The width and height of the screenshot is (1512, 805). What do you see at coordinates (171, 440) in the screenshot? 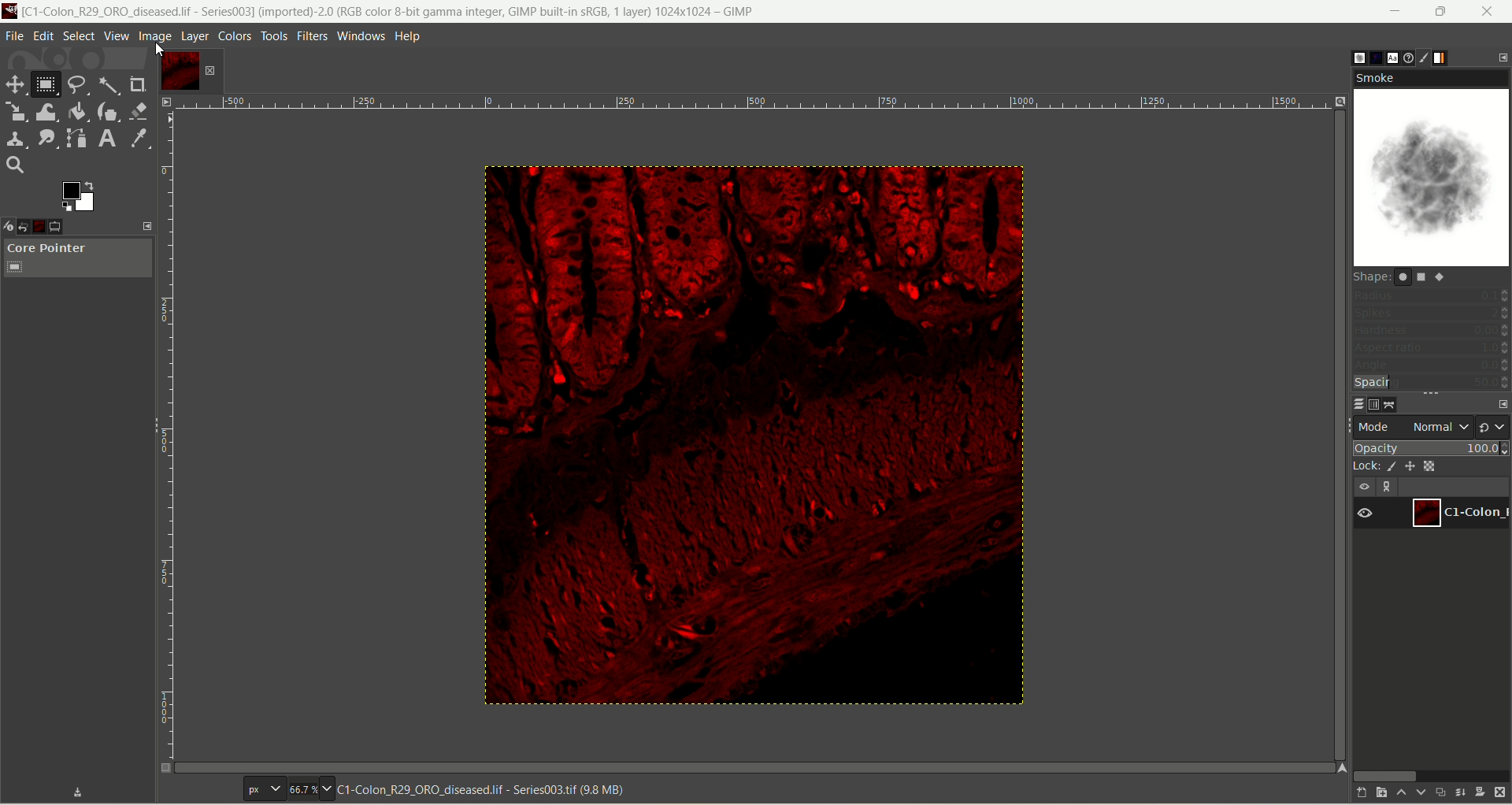
I see `scale bar` at bounding box center [171, 440].